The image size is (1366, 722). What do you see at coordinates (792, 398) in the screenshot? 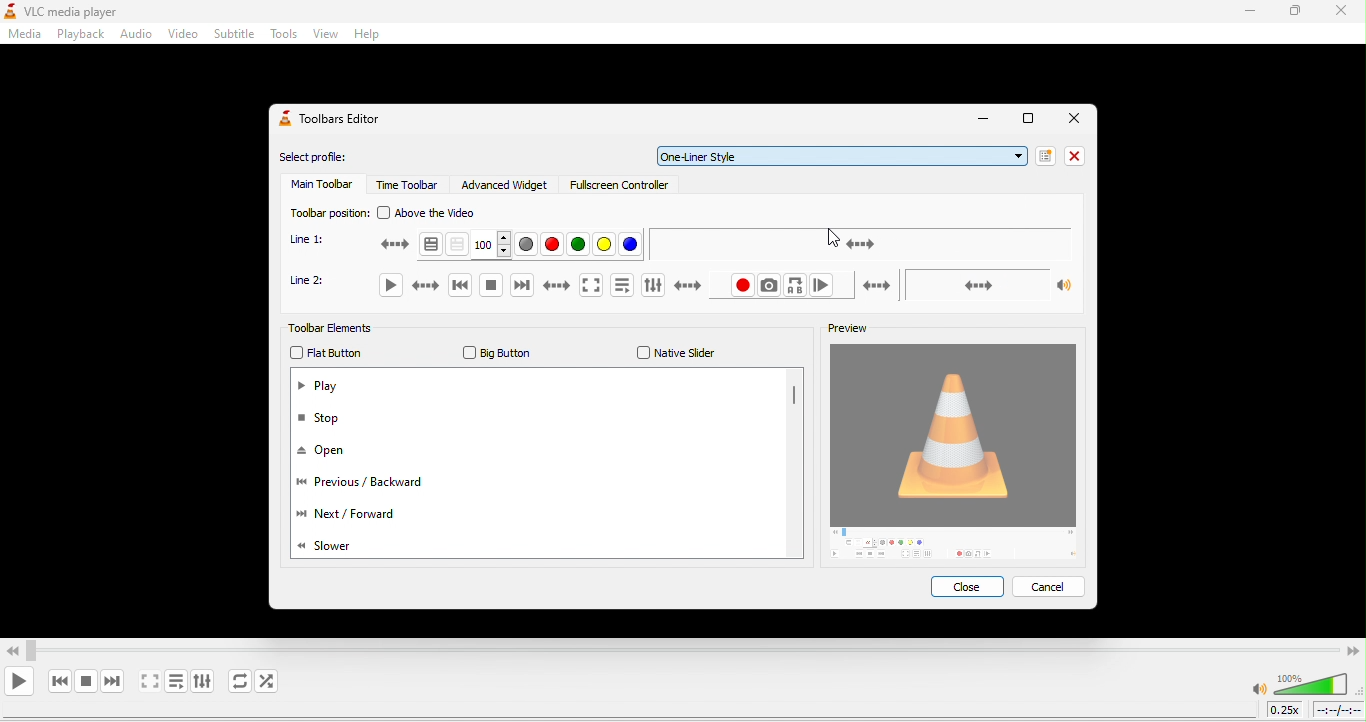
I see `vertical scroll bar` at bounding box center [792, 398].